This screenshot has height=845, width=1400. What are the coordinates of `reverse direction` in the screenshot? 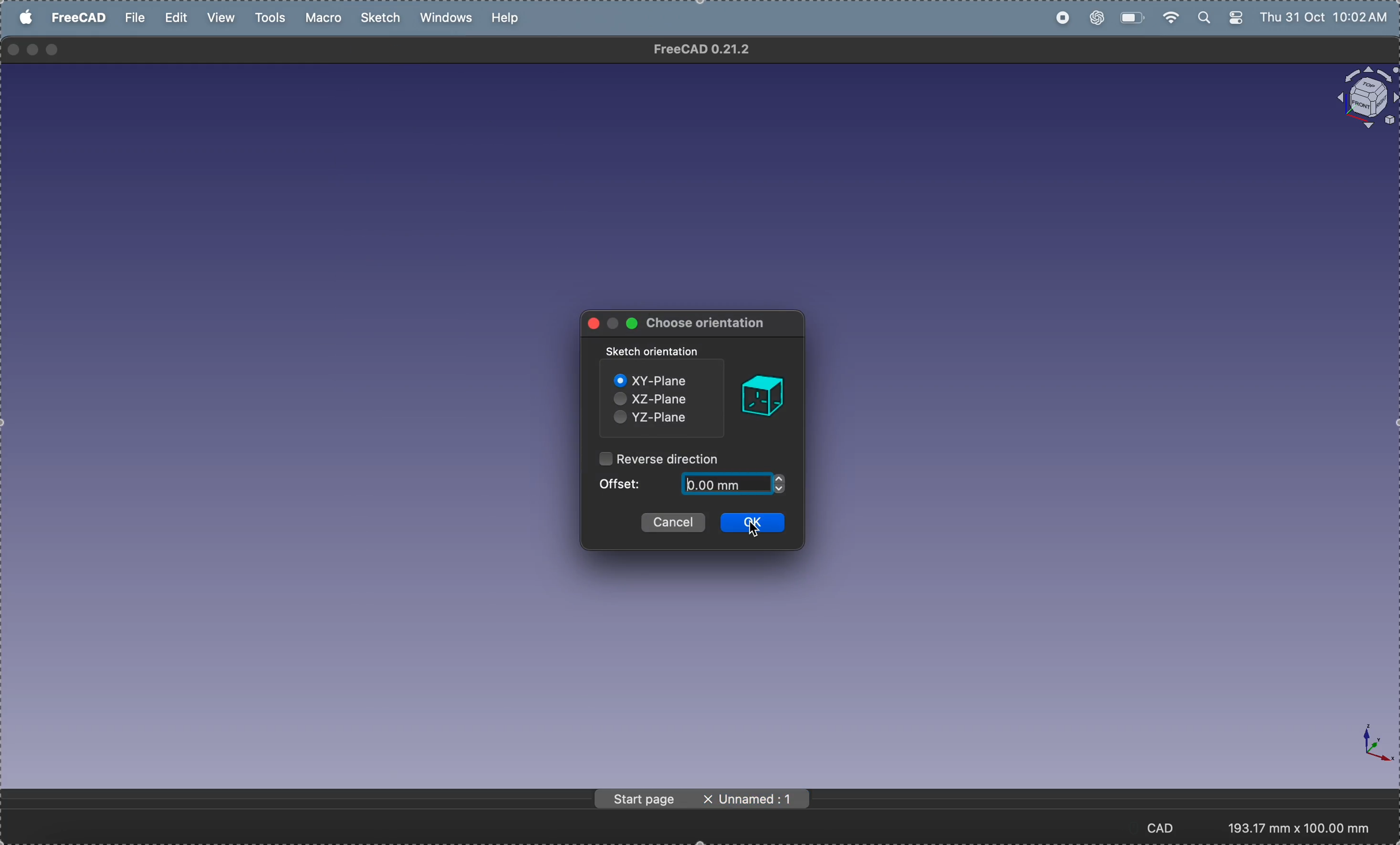 It's located at (672, 459).